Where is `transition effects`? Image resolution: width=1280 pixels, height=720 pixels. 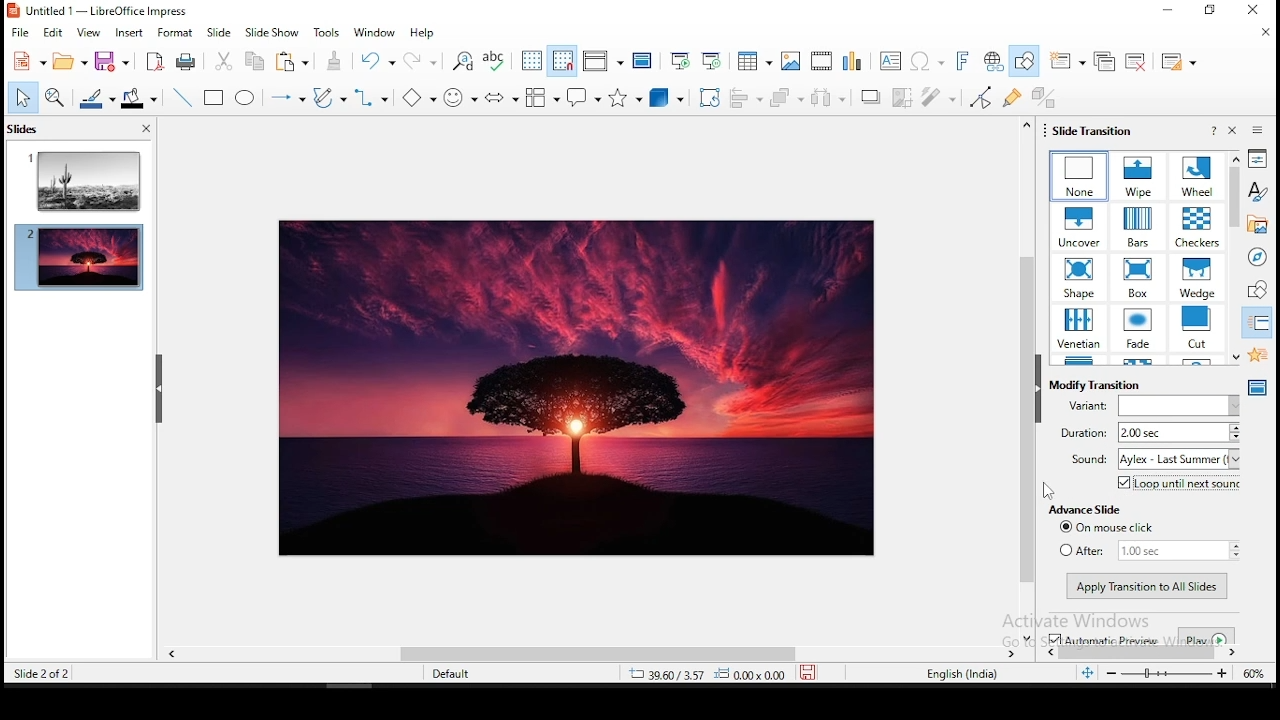
transition effects is located at coordinates (1138, 176).